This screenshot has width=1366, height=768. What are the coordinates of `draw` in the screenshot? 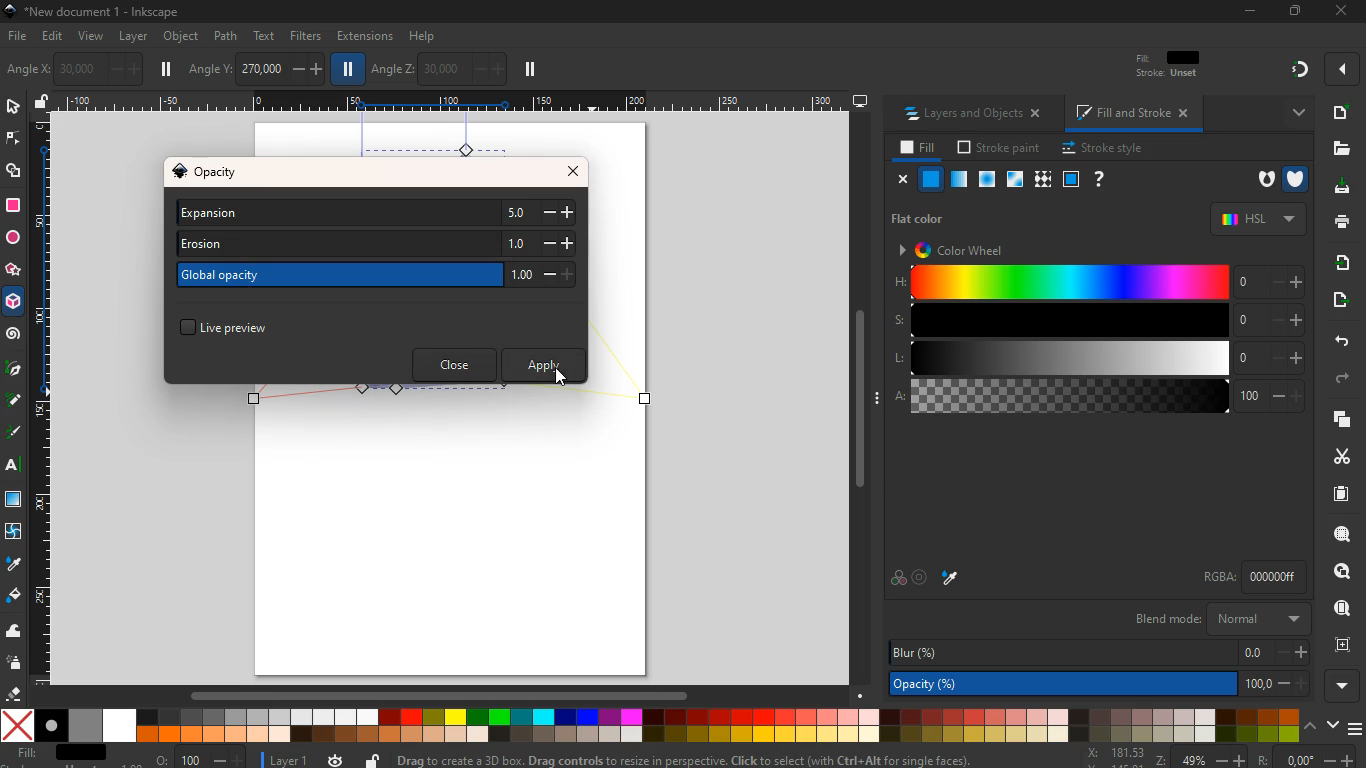 It's located at (14, 436).